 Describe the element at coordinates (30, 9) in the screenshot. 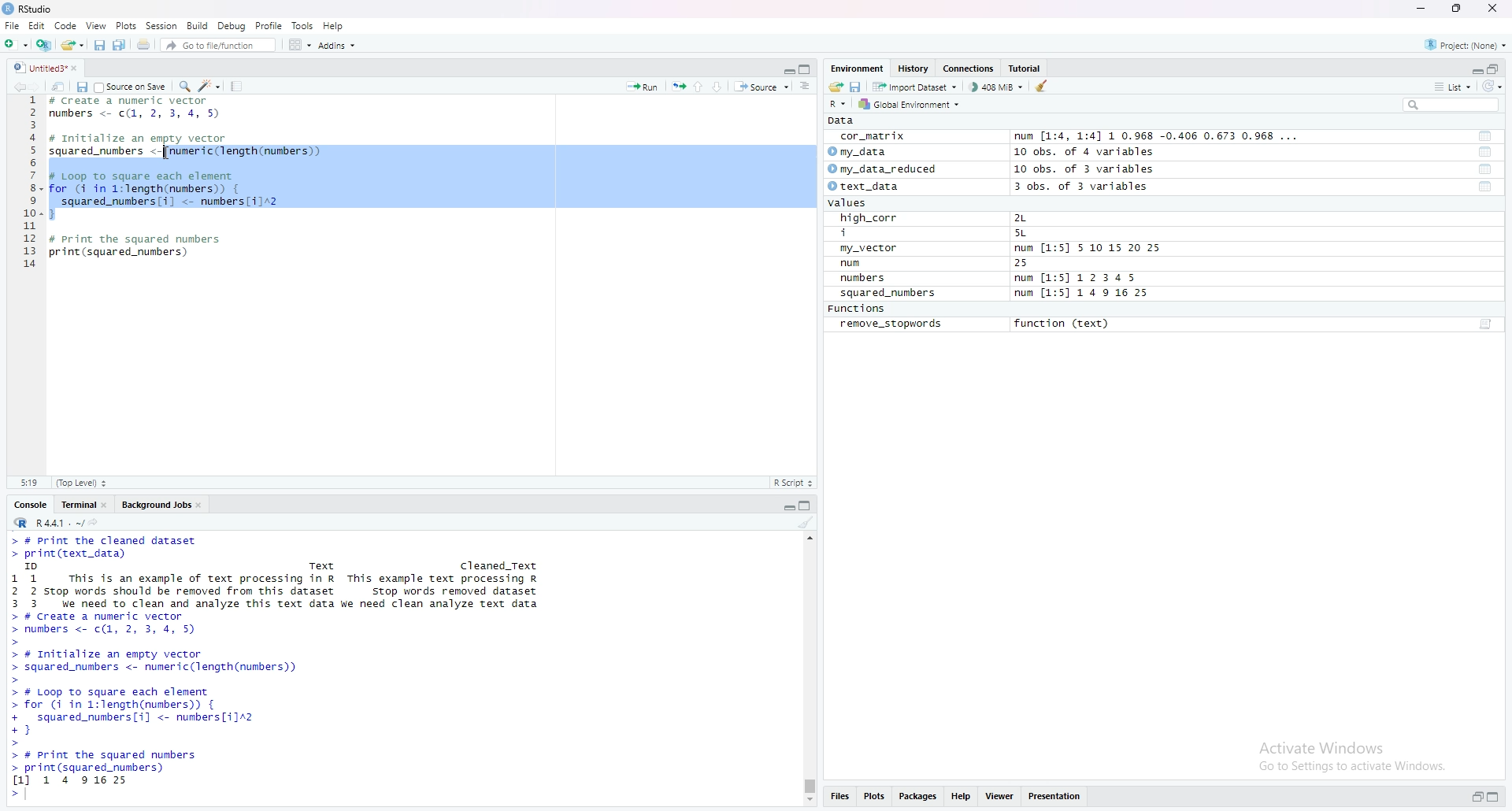

I see `RStudio` at that location.